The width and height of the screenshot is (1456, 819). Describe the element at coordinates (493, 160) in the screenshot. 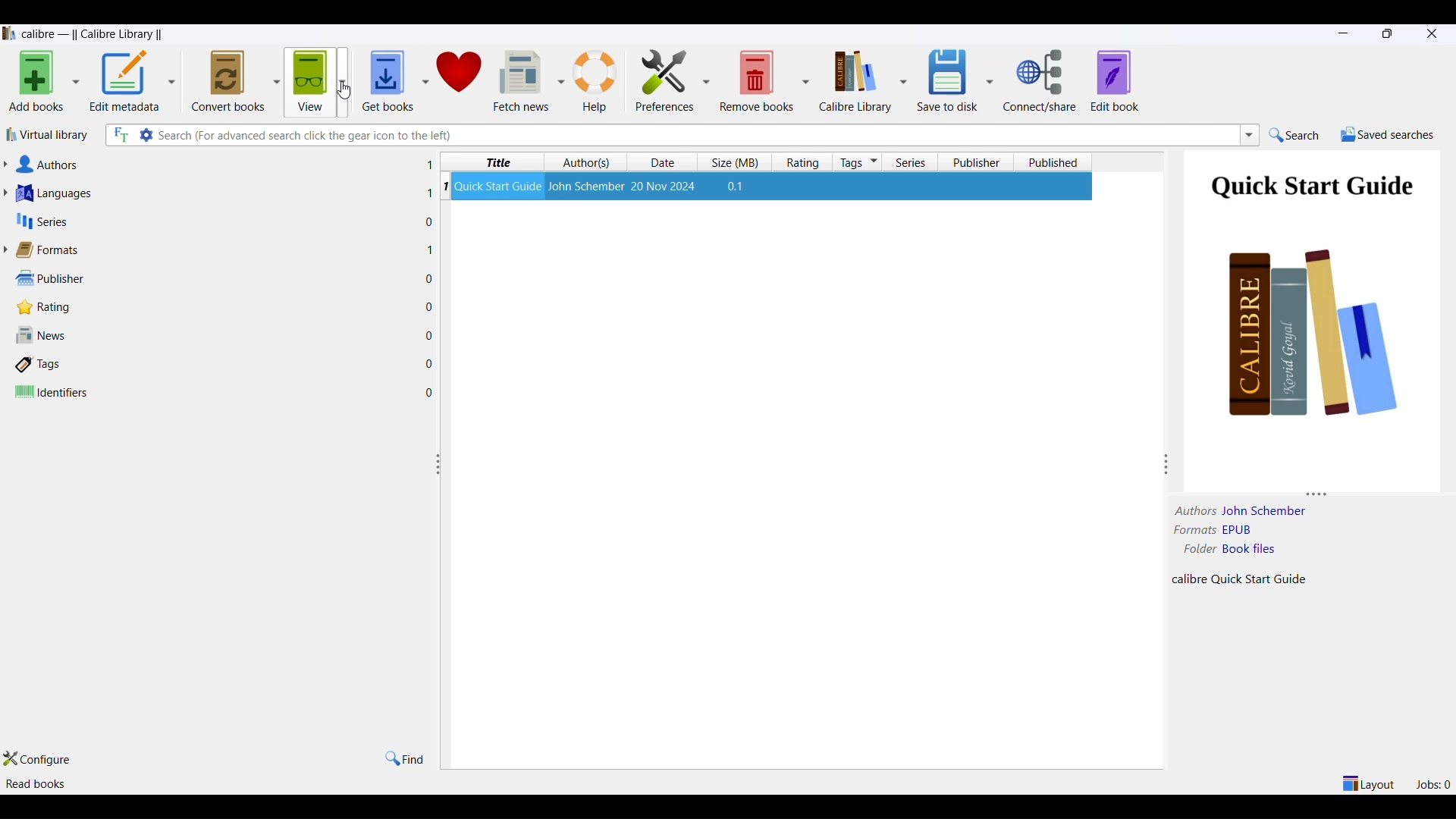

I see `title` at that location.